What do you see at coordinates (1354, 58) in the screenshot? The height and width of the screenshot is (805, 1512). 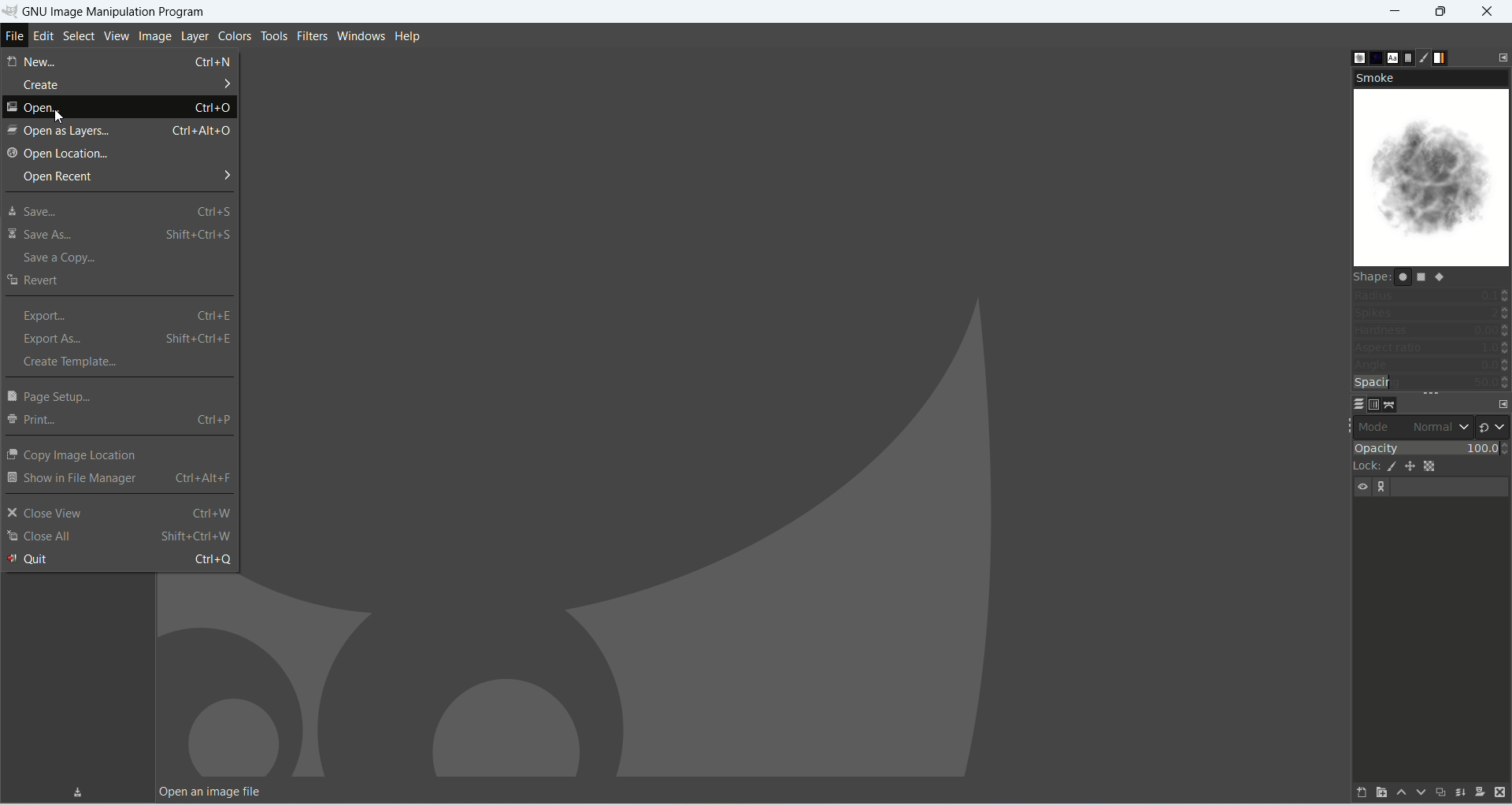 I see `brushes` at bounding box center [1354, 58].